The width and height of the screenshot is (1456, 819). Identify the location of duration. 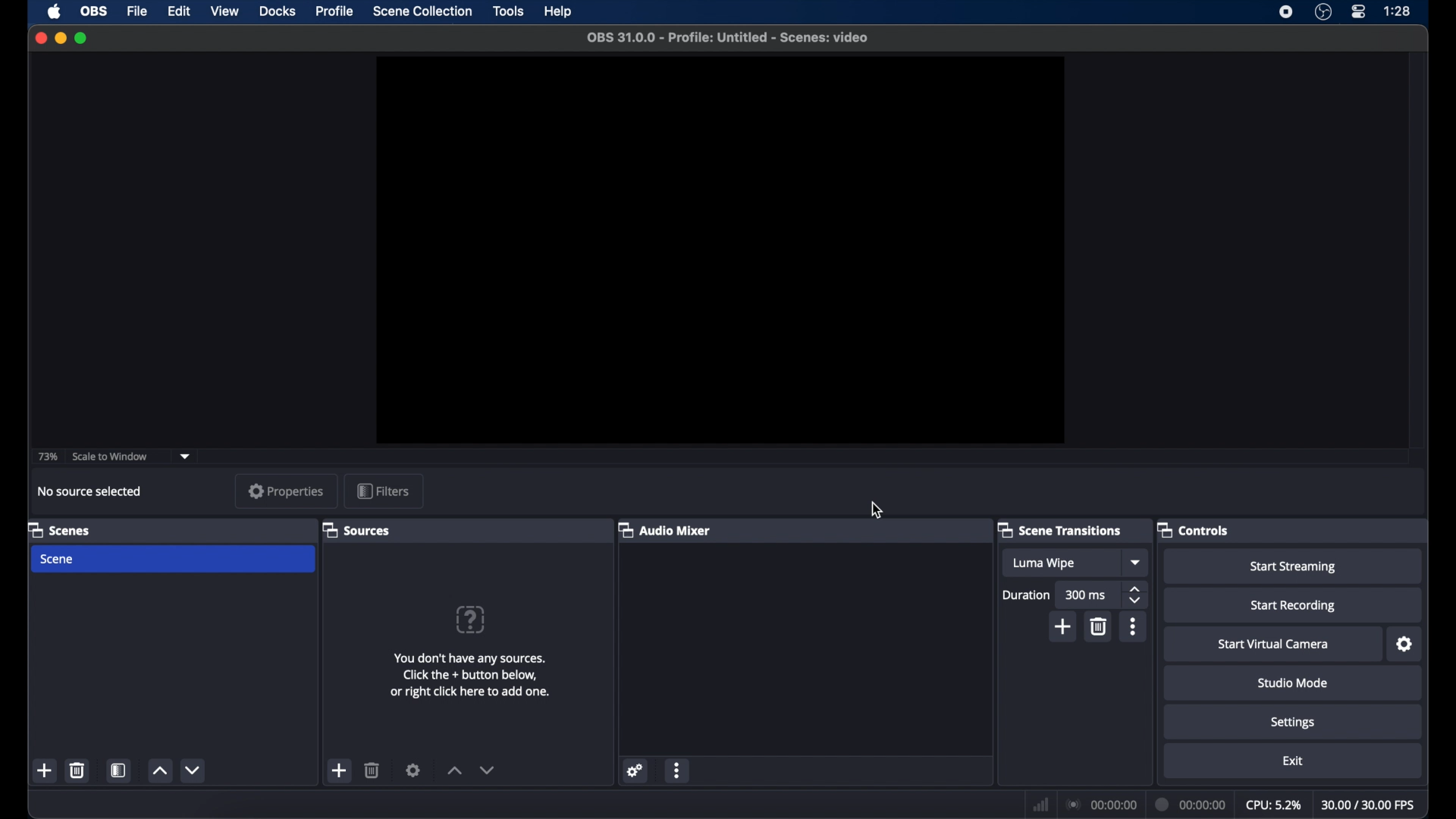
(1191, 805).